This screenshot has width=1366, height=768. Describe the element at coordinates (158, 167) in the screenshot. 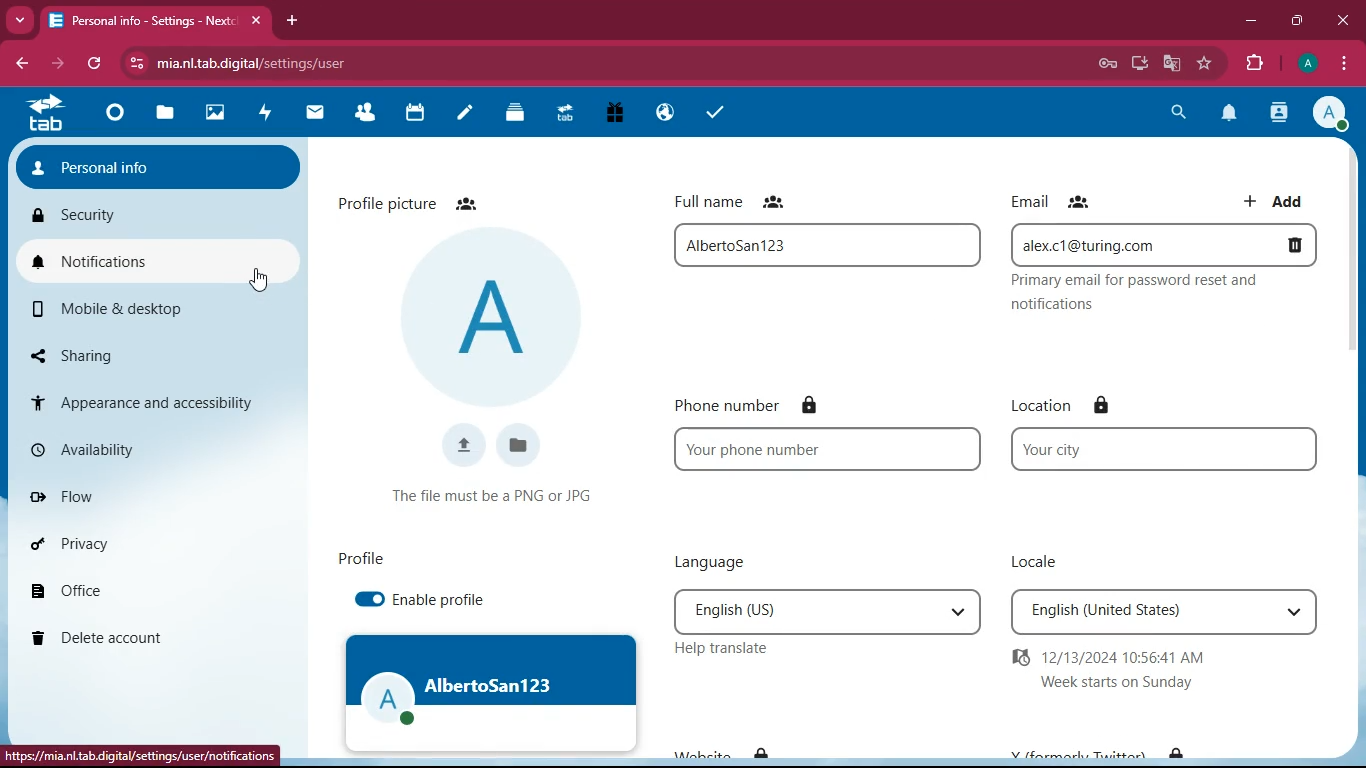

I see `personal info` at that location.